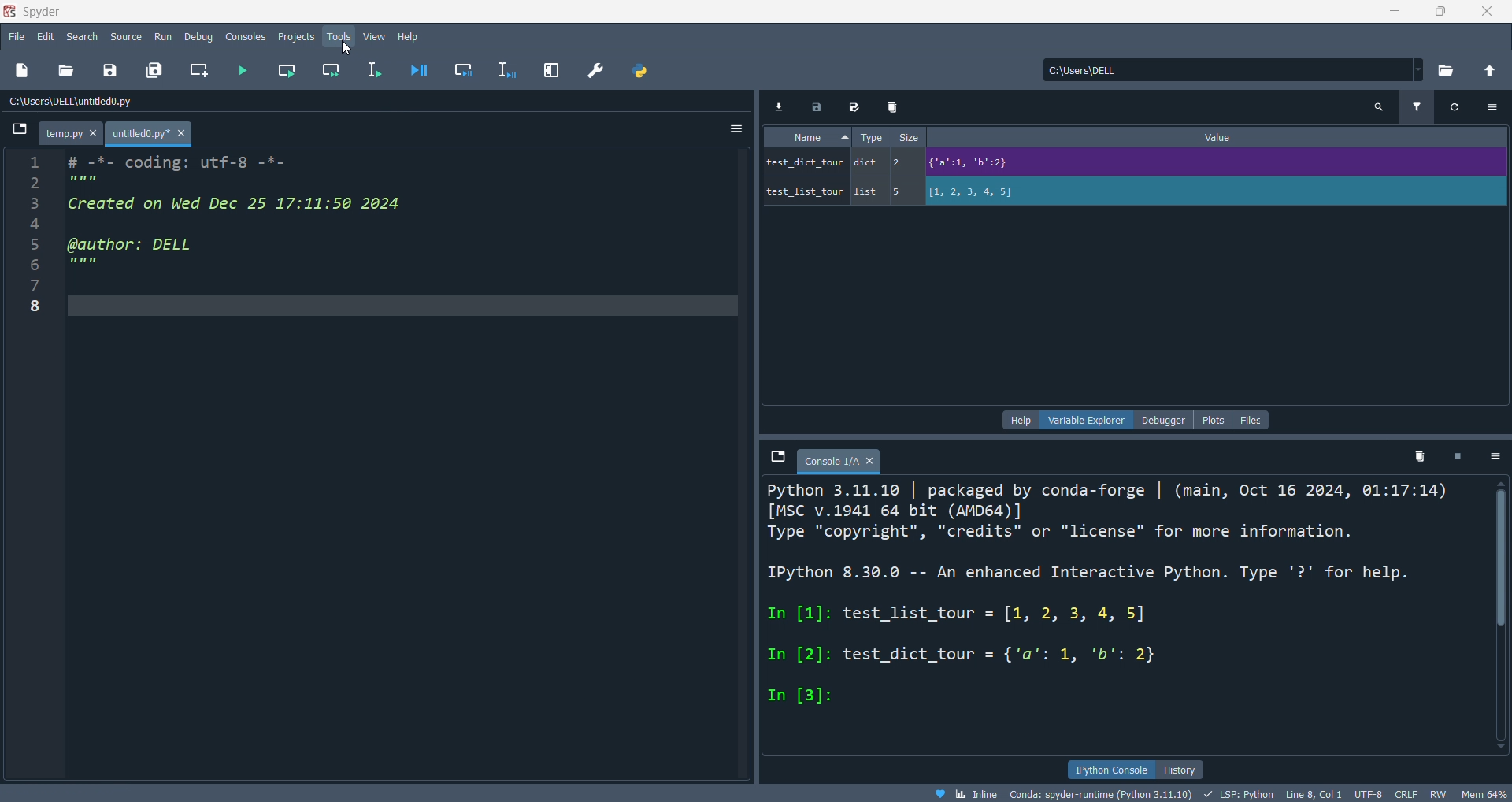 Image resolution: width=1512 pixels, height=802 pixels. I want to click on maximize/restore, so click(1439, 13).